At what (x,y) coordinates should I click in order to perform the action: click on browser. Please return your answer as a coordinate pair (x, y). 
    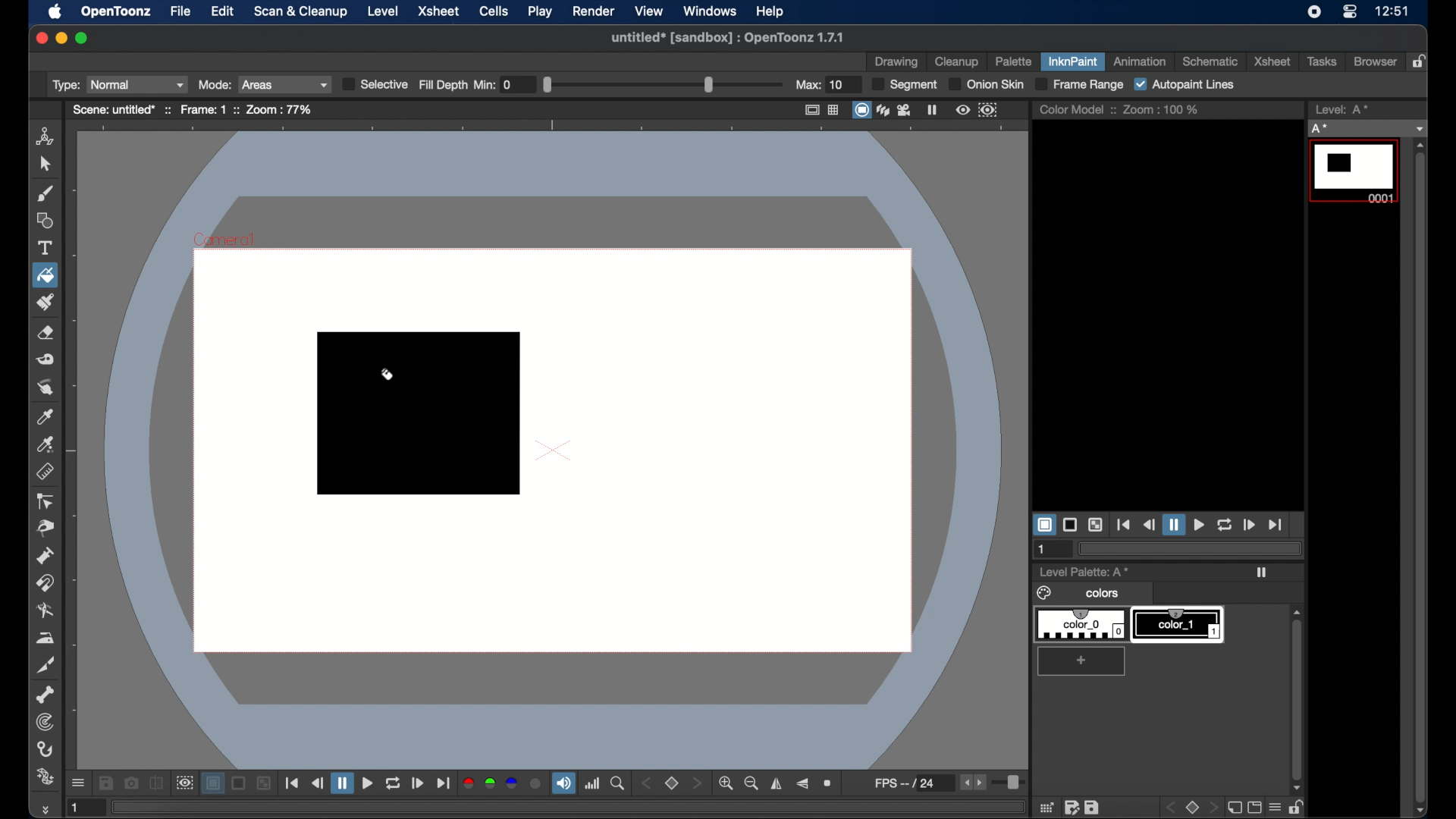
    Looking at the image, I should click on (1376, 61).